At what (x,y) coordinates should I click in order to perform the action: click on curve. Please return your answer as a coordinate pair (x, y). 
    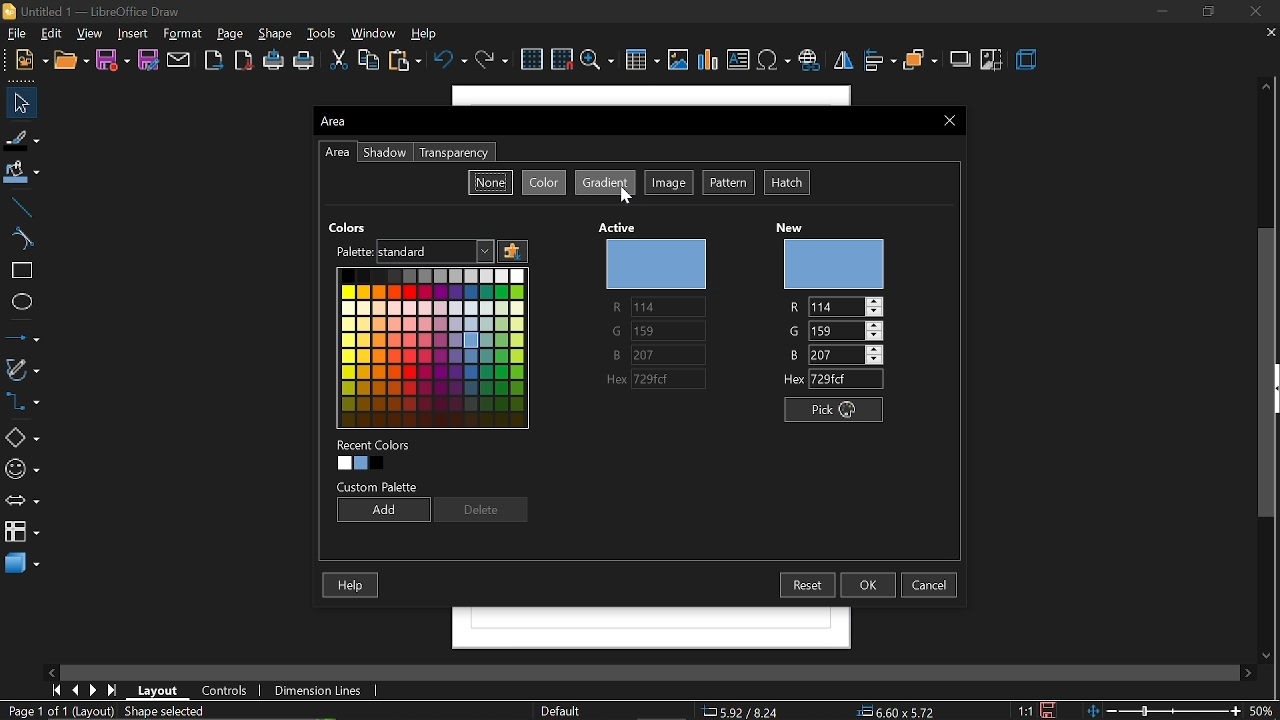
    Looking at the image, I should click on (19, 240).